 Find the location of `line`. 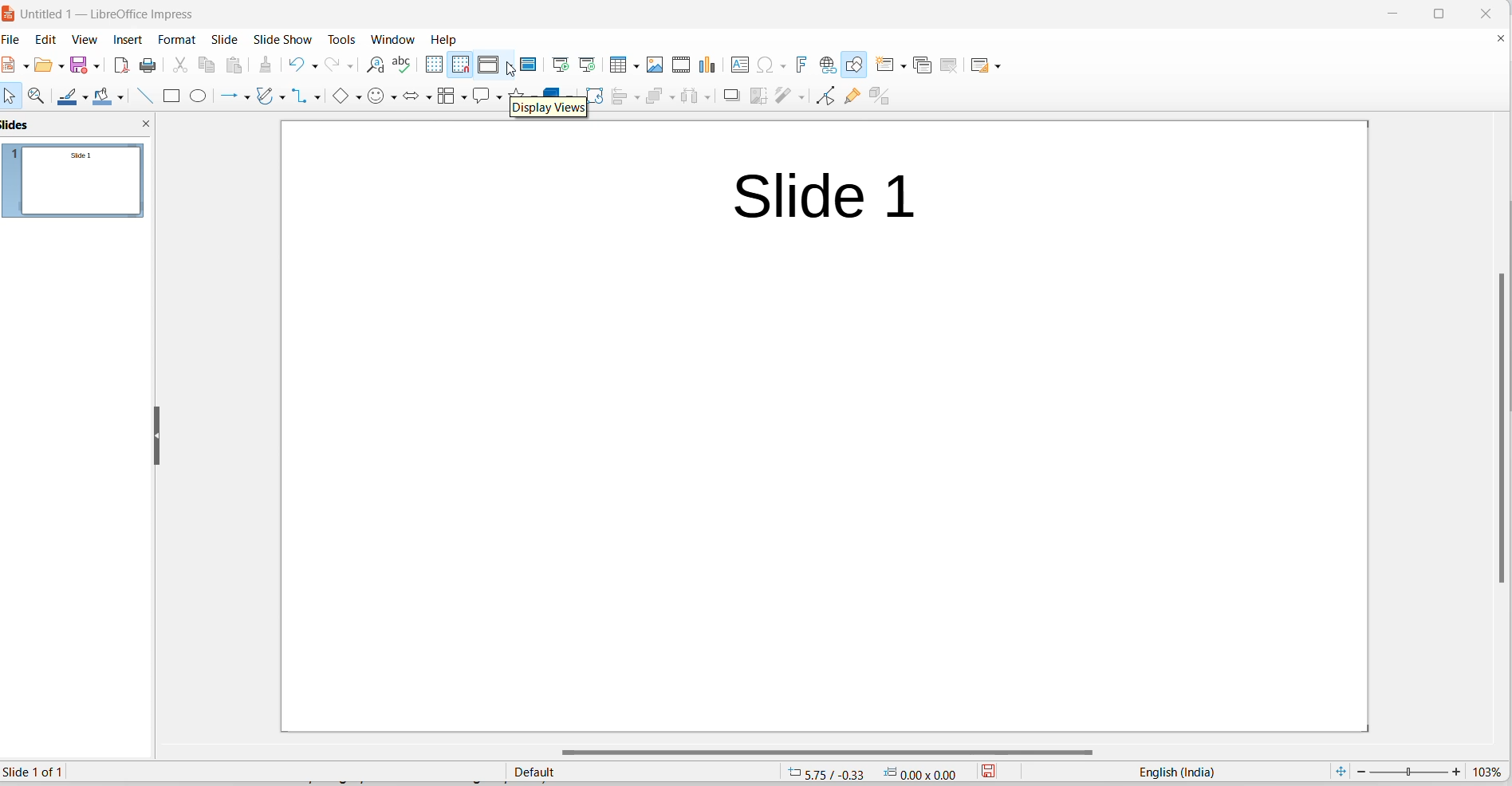

line is located at coordinates (144, 97).